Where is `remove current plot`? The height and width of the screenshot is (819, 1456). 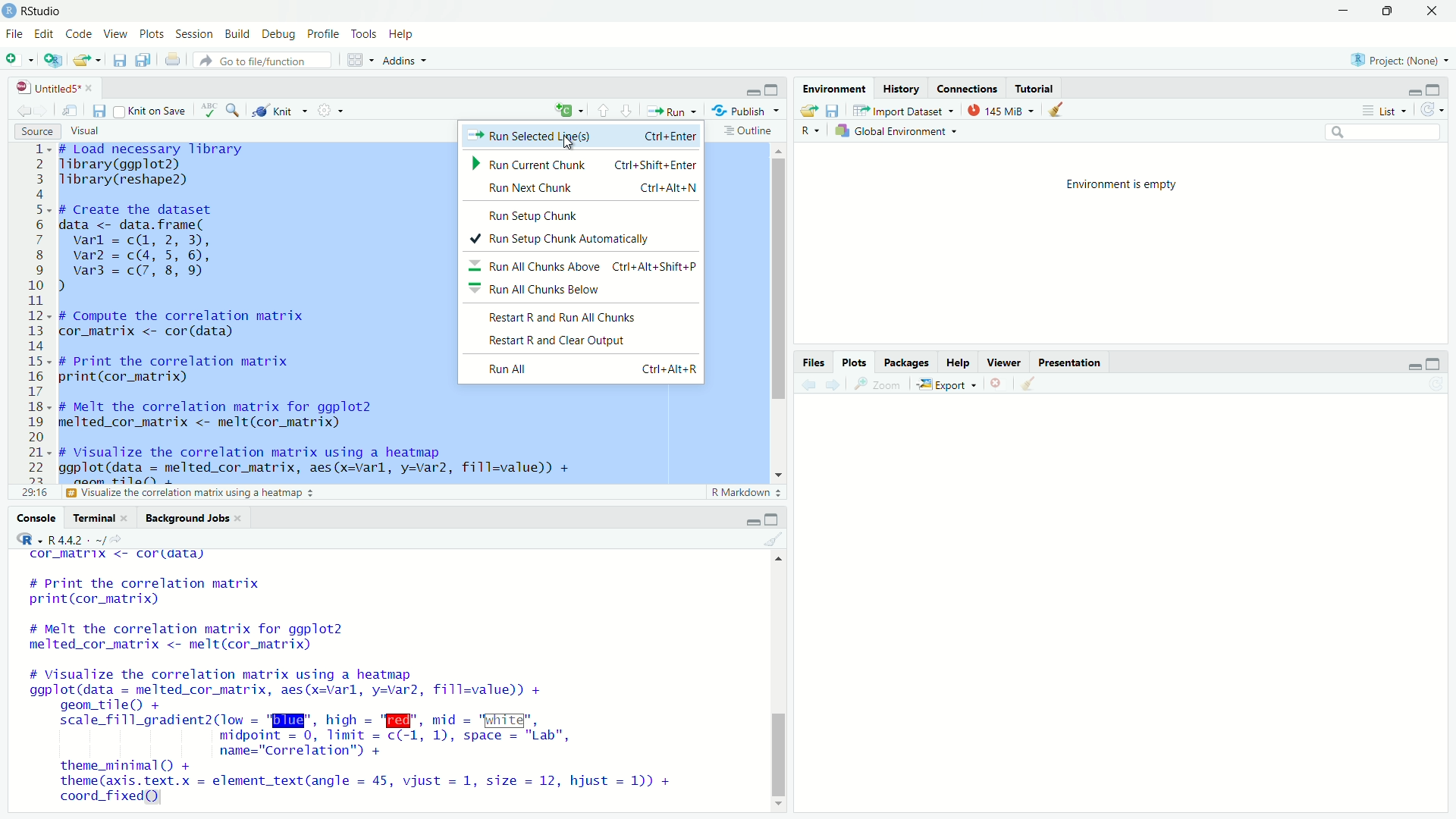
remove current plot is located at coordinates (998, 383).